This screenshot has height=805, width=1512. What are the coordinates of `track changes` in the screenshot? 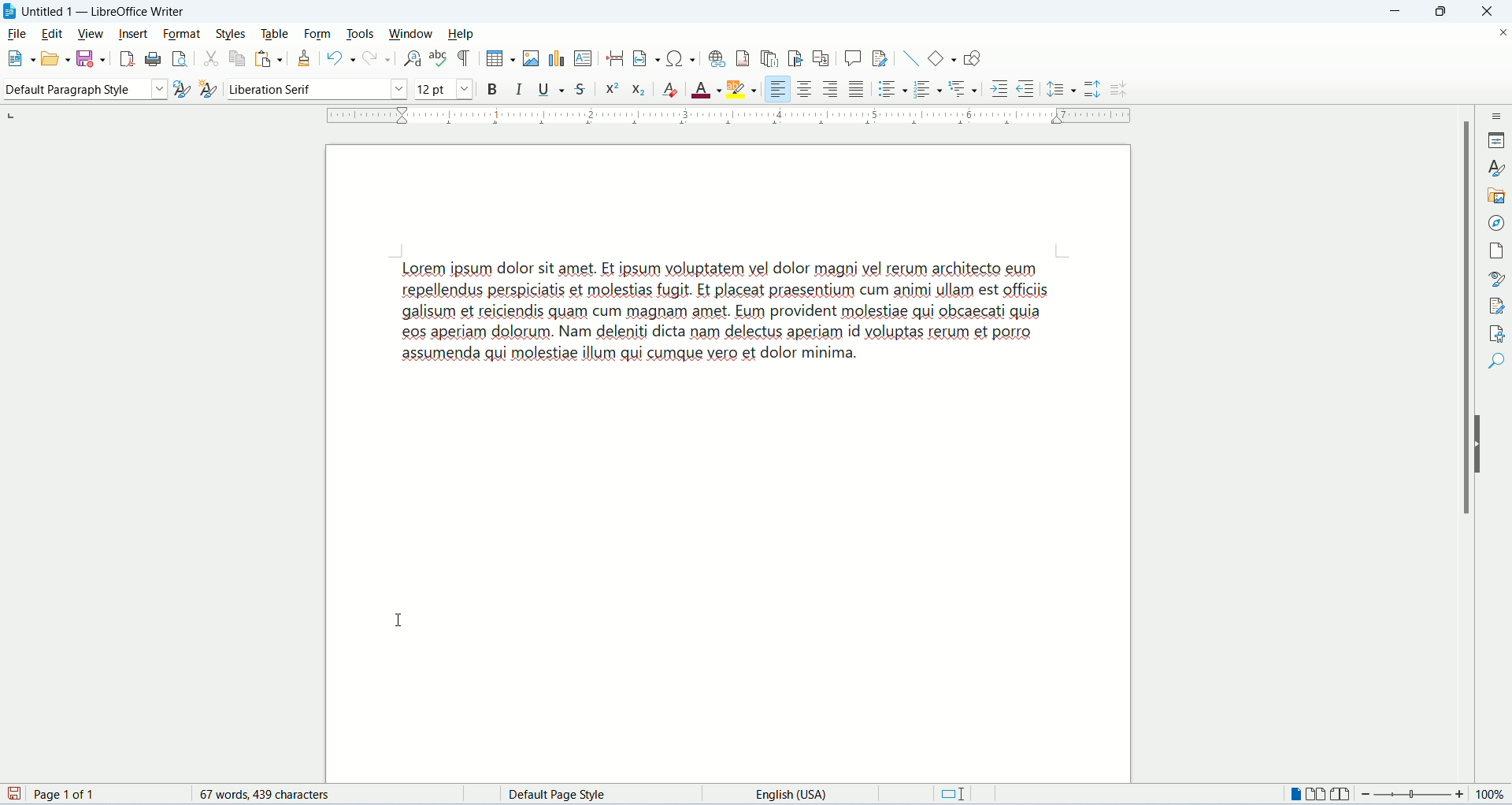 It's located at (882, 58).